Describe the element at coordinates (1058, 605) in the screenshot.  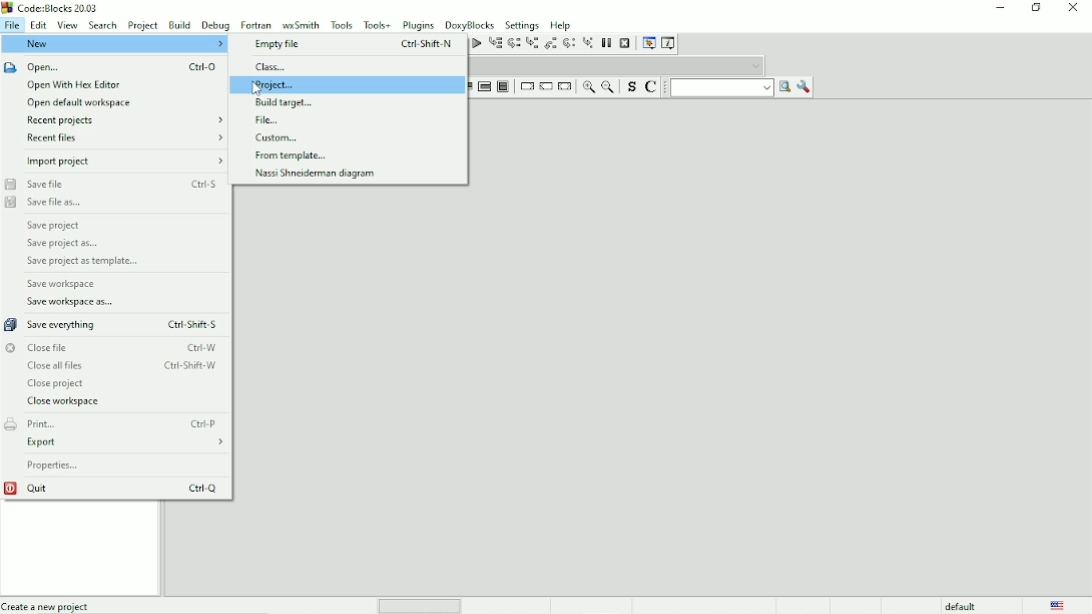
I see `Language` at that location.